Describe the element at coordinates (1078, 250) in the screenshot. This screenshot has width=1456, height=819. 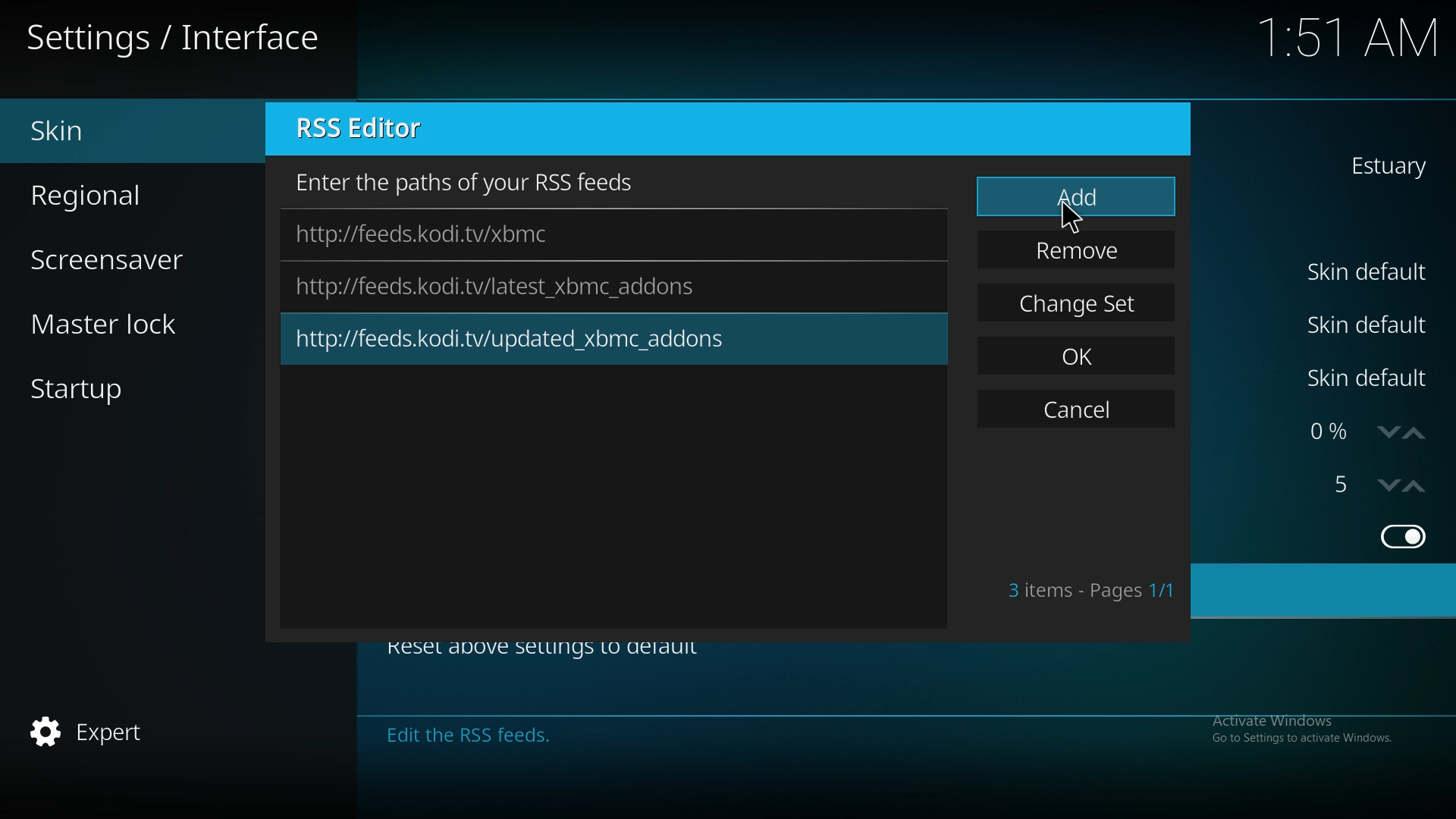
I see `remove` at that location.